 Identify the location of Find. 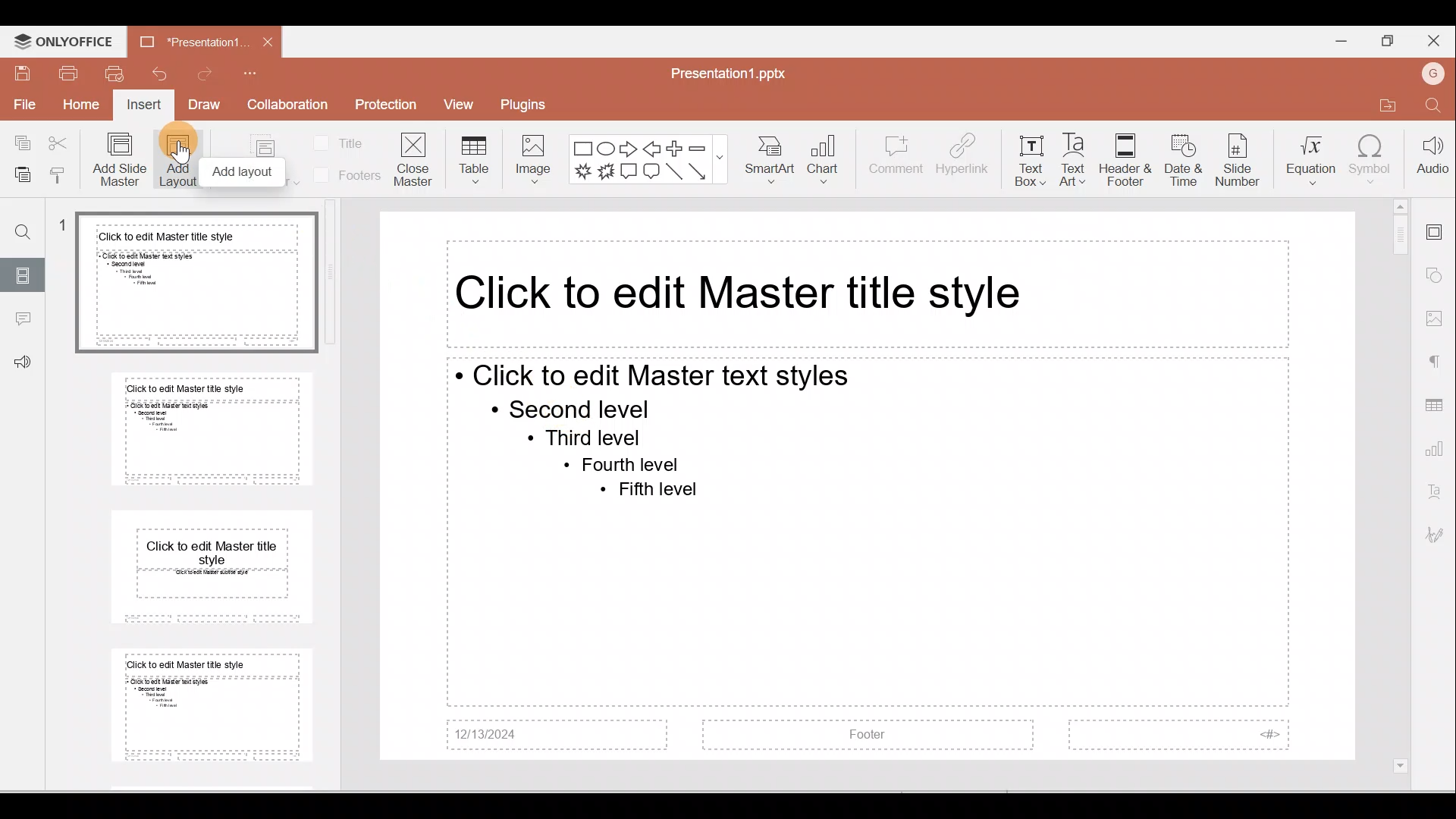
(24, 227).